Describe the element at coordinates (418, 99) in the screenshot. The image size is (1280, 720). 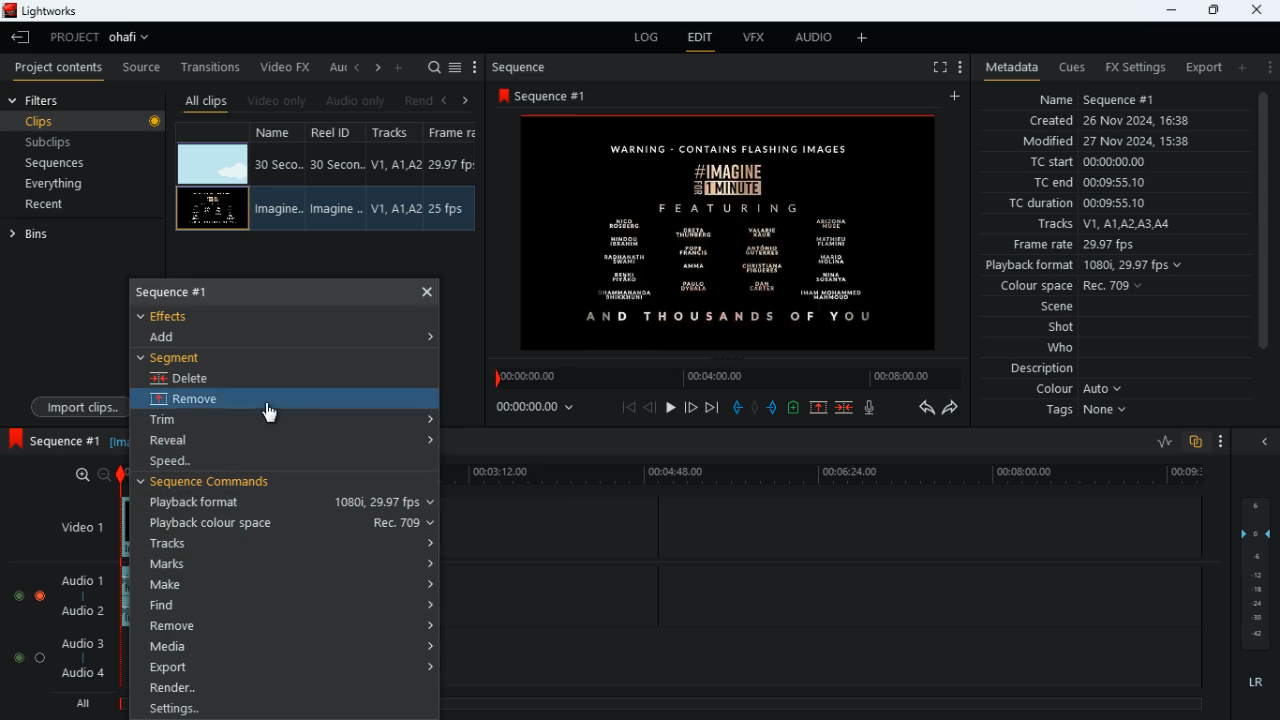
I see `rend` at that location.